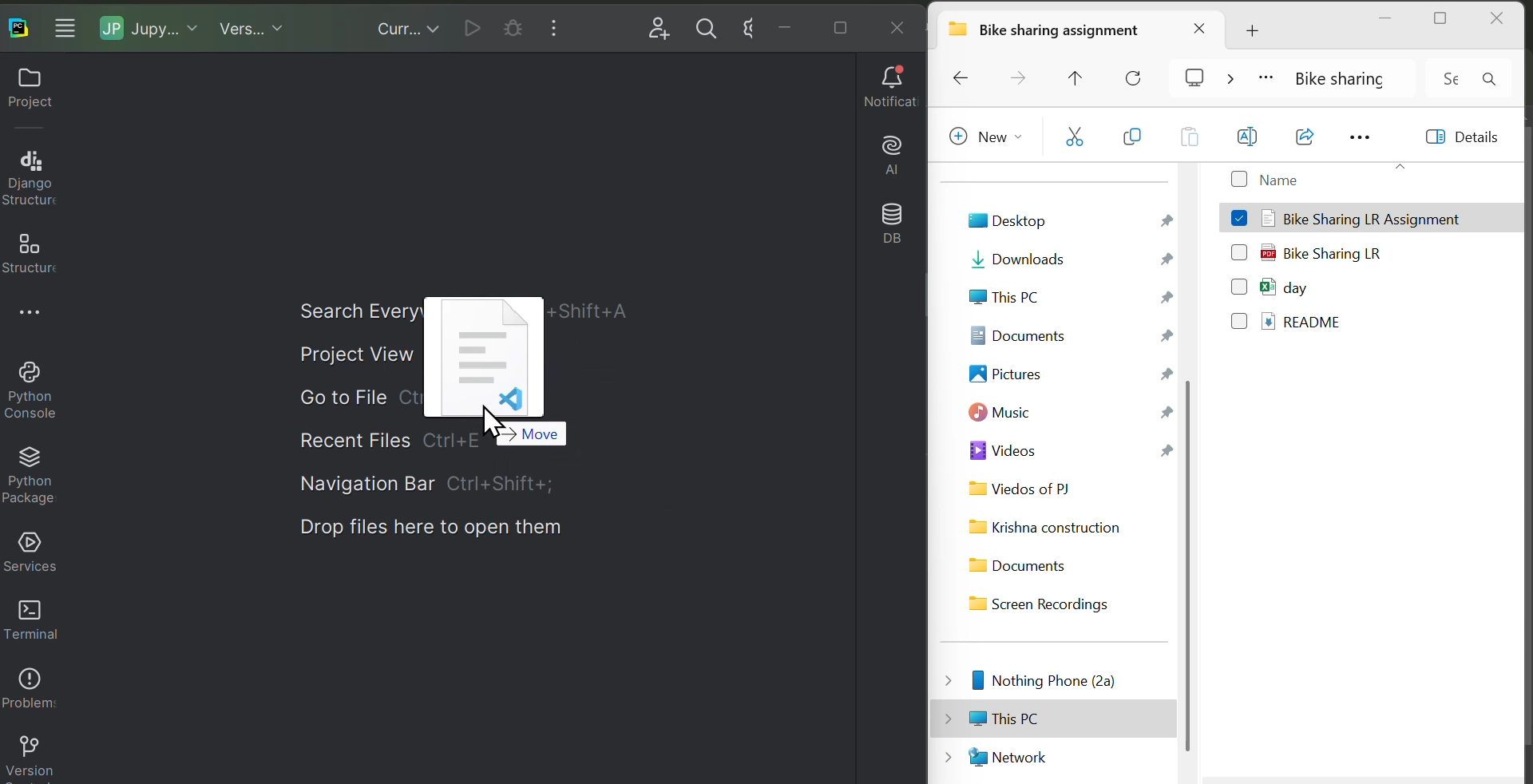 The width and height of the screenshot is (1533, 784). What do you see at coordinates (1041, 716) in the screenshot?
I see `This PC` at bounding box center [1041, 716].